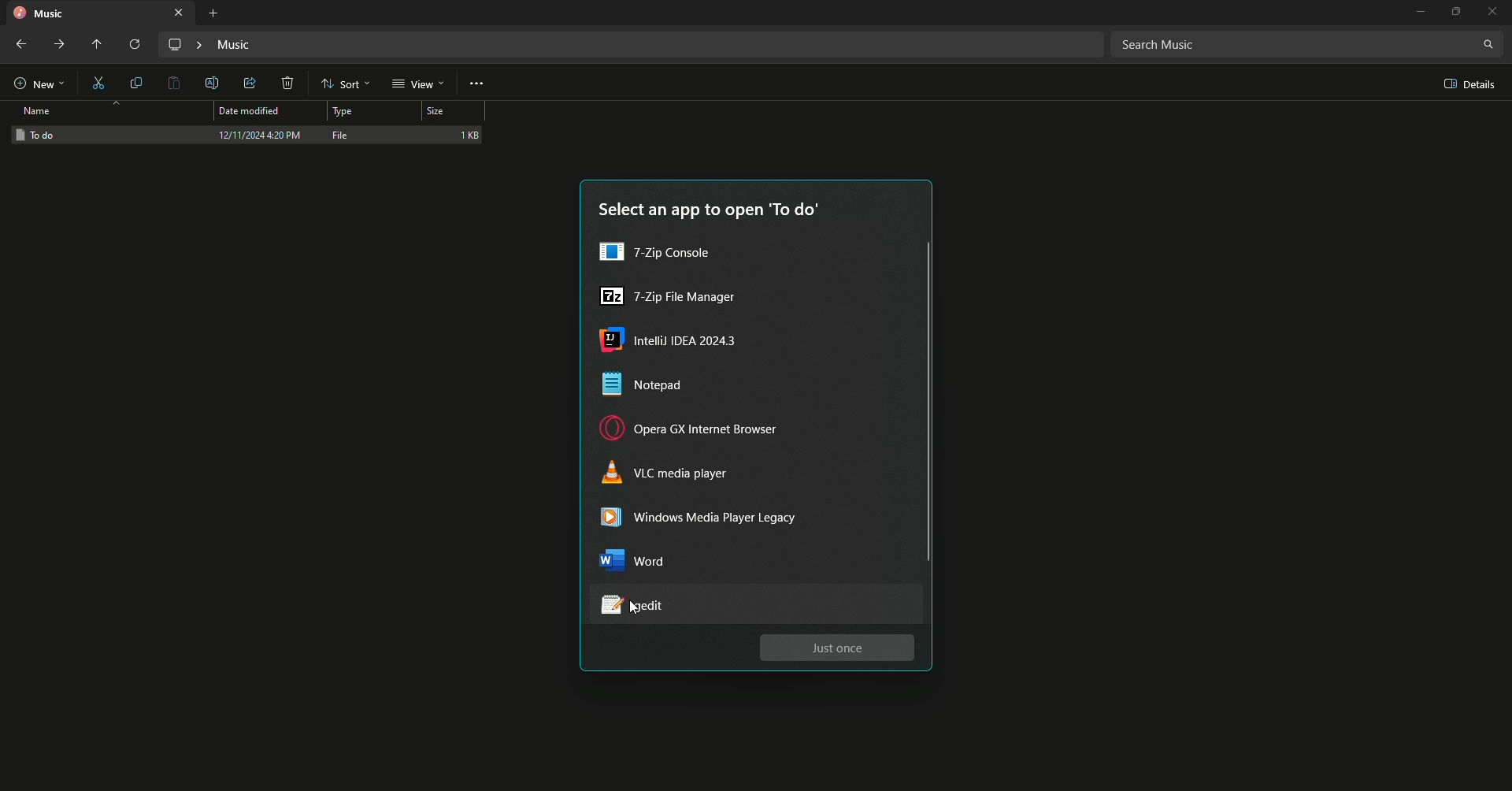 The height and width of the screenshot is (791, 1512). I want to click on Date modified, so click(253, 110).